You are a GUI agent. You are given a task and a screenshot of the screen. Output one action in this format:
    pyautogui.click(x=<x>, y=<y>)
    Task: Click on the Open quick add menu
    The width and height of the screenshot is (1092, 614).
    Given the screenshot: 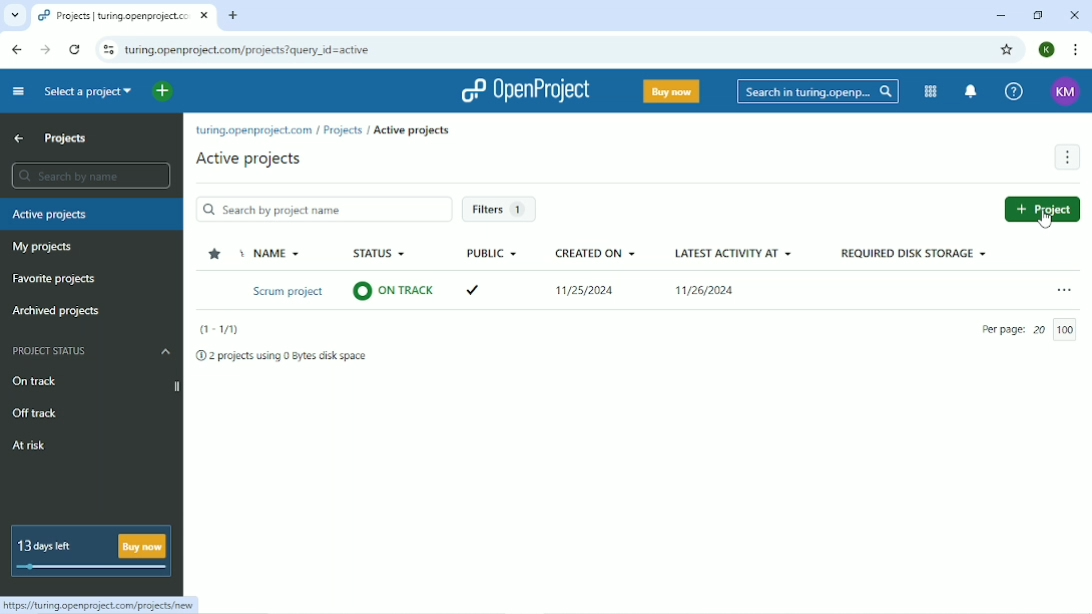 What is the action you would take?
    pyautogui.click(x=162, y=92)
    